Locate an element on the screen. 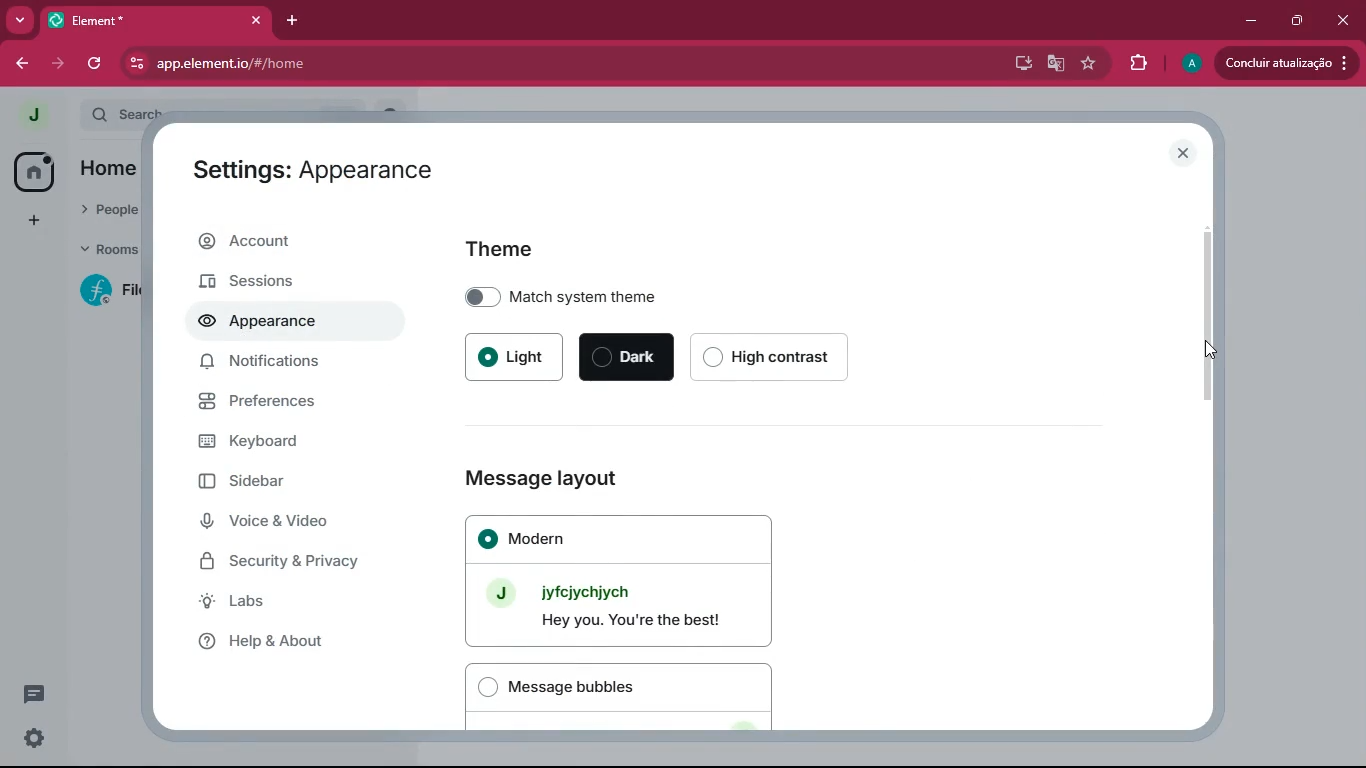 The width and height of the screenshot is (1366, 768). close is located at coordinates (255, 20).